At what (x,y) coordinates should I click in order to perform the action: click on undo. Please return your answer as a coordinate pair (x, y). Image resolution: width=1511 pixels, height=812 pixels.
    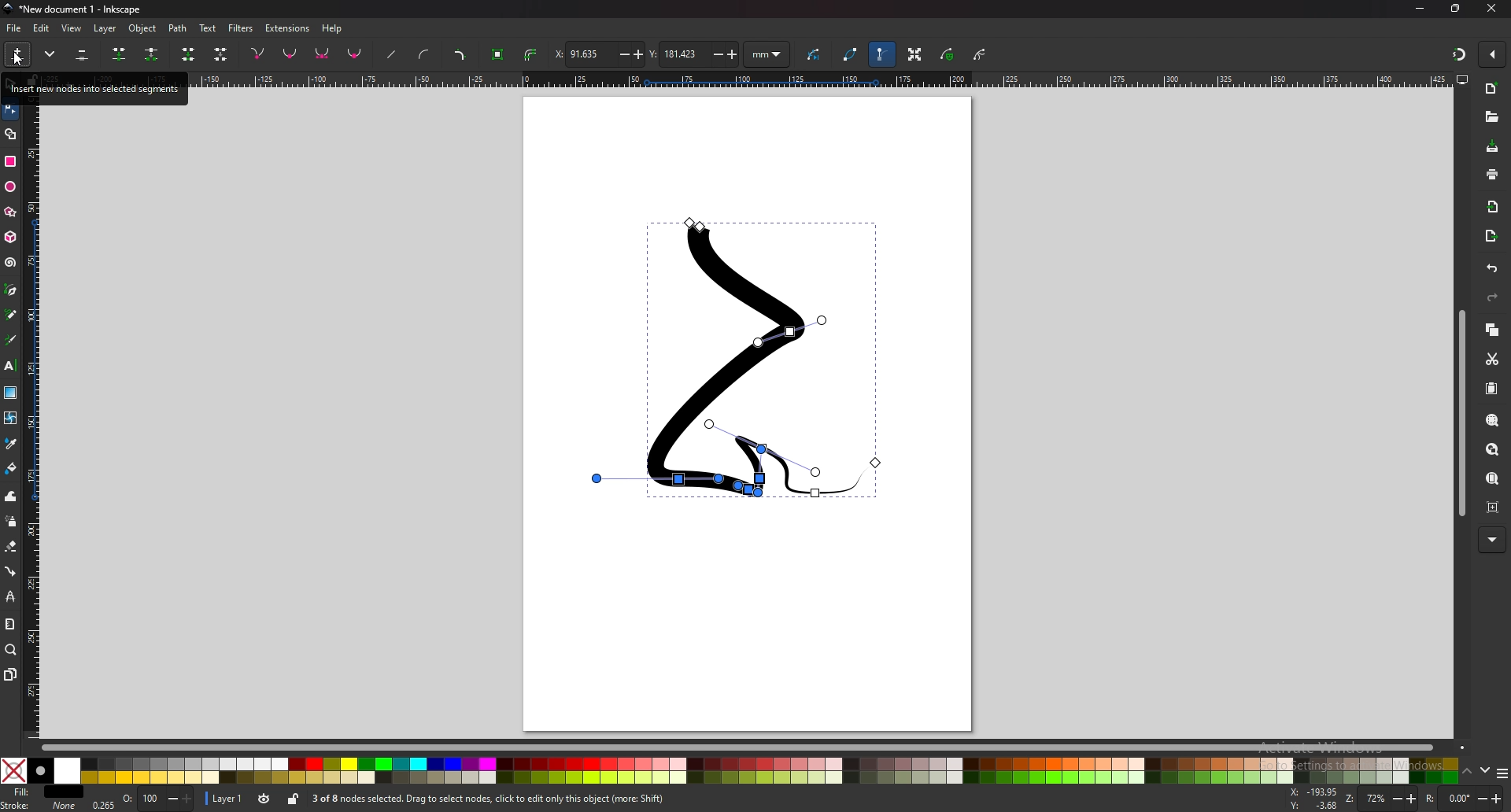
    Looking at the image, I should click on (1493, 269).